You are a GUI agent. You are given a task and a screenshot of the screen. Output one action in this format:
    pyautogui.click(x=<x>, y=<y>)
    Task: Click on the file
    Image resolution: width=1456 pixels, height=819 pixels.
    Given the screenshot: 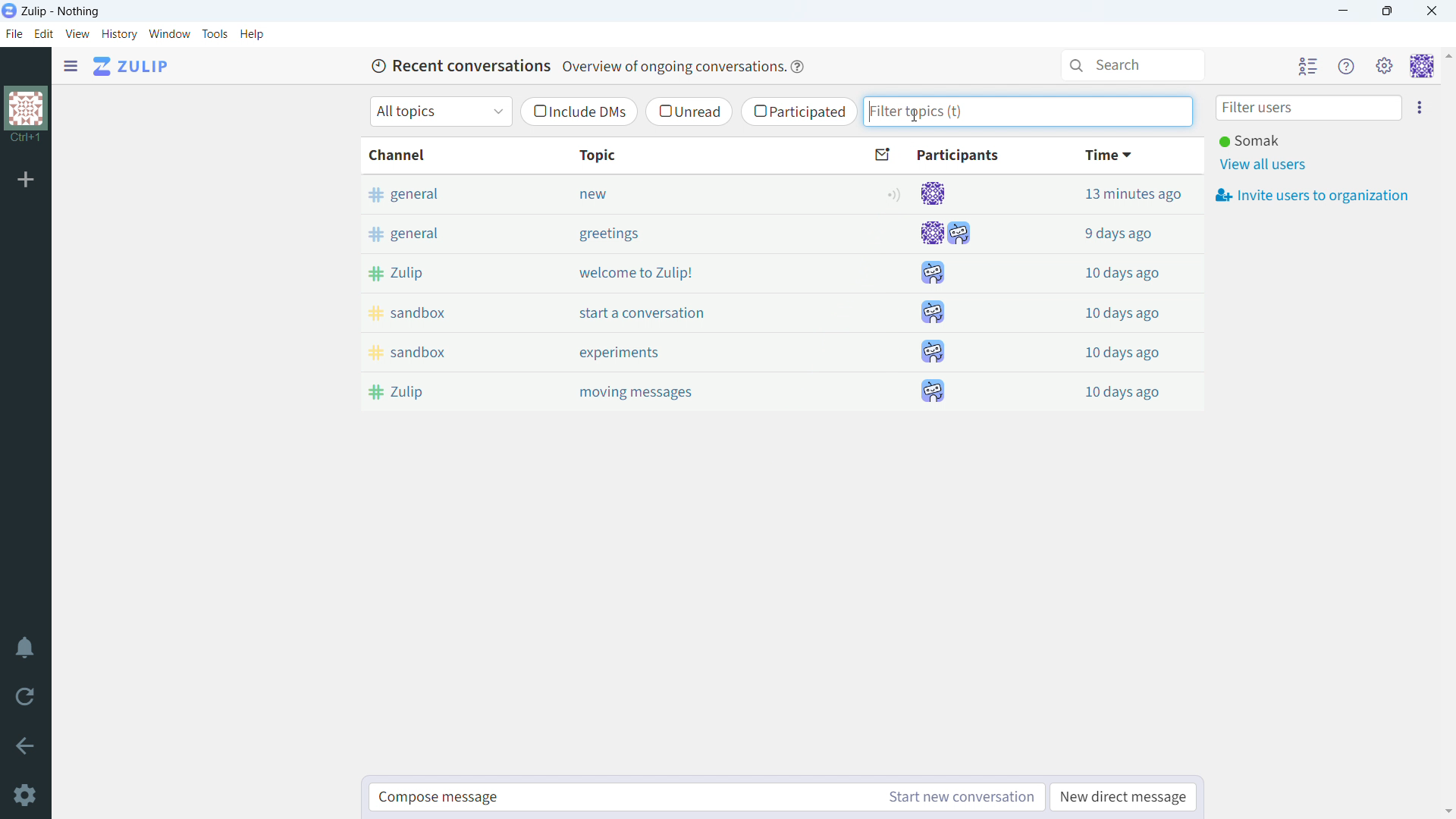 What is the action you would take?
    pyautogui.click(x=14, y=34)
    